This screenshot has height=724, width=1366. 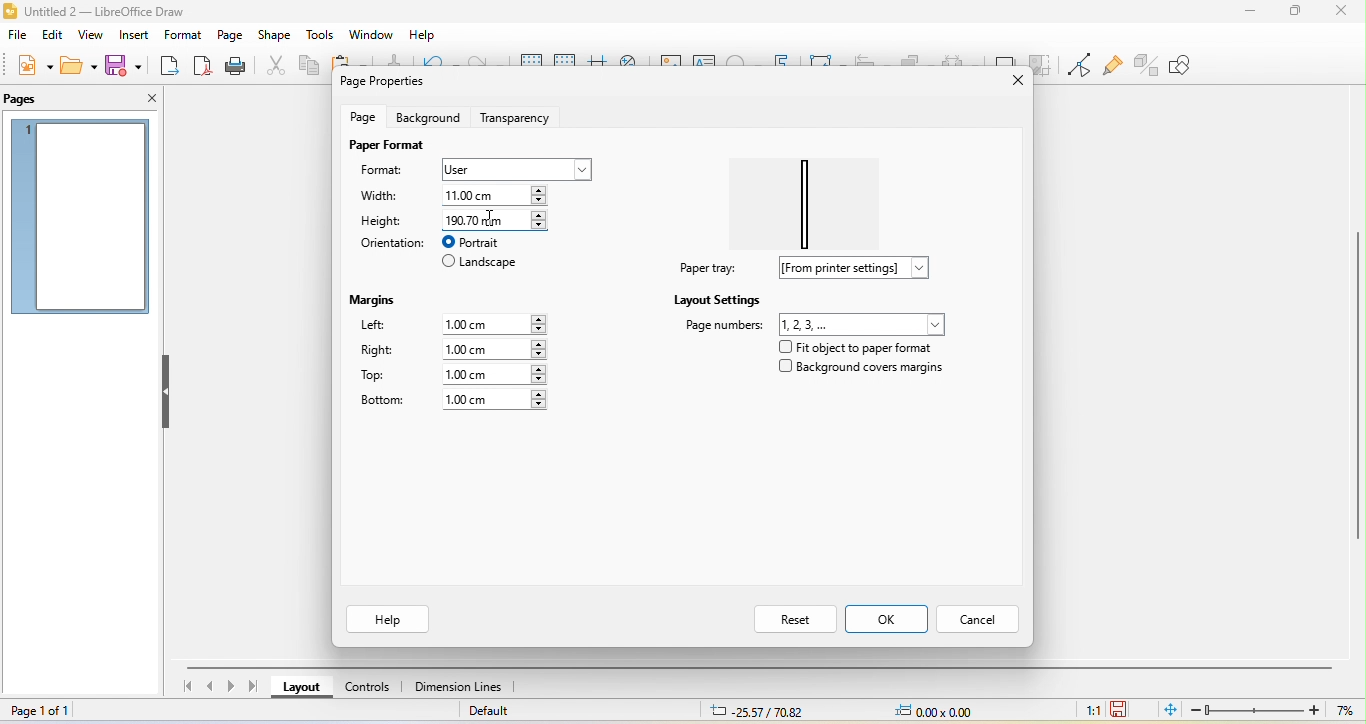 I want to click on margins, so click(x=377, y=297).